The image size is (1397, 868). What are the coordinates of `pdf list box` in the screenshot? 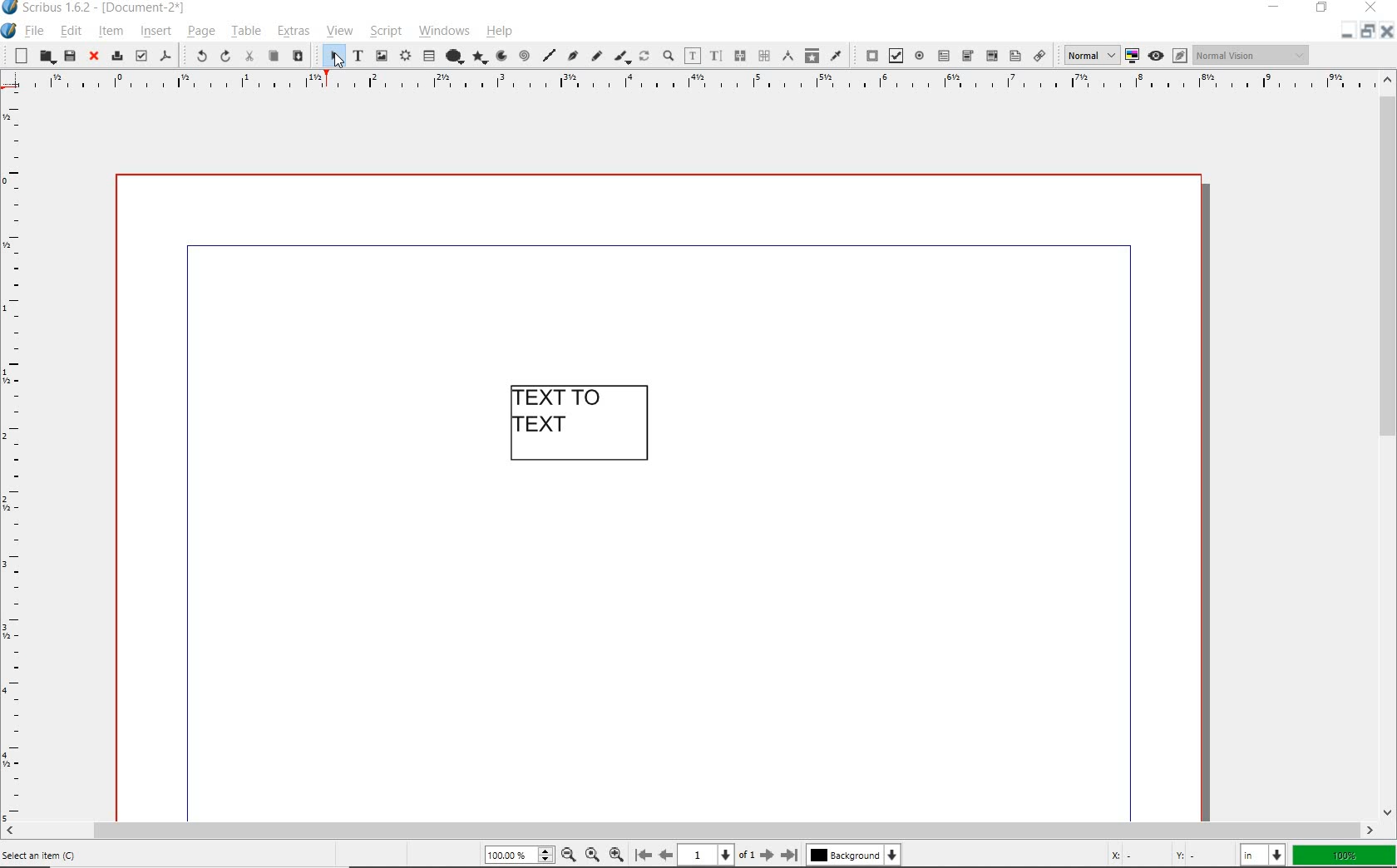 It's located at (1014, 57).